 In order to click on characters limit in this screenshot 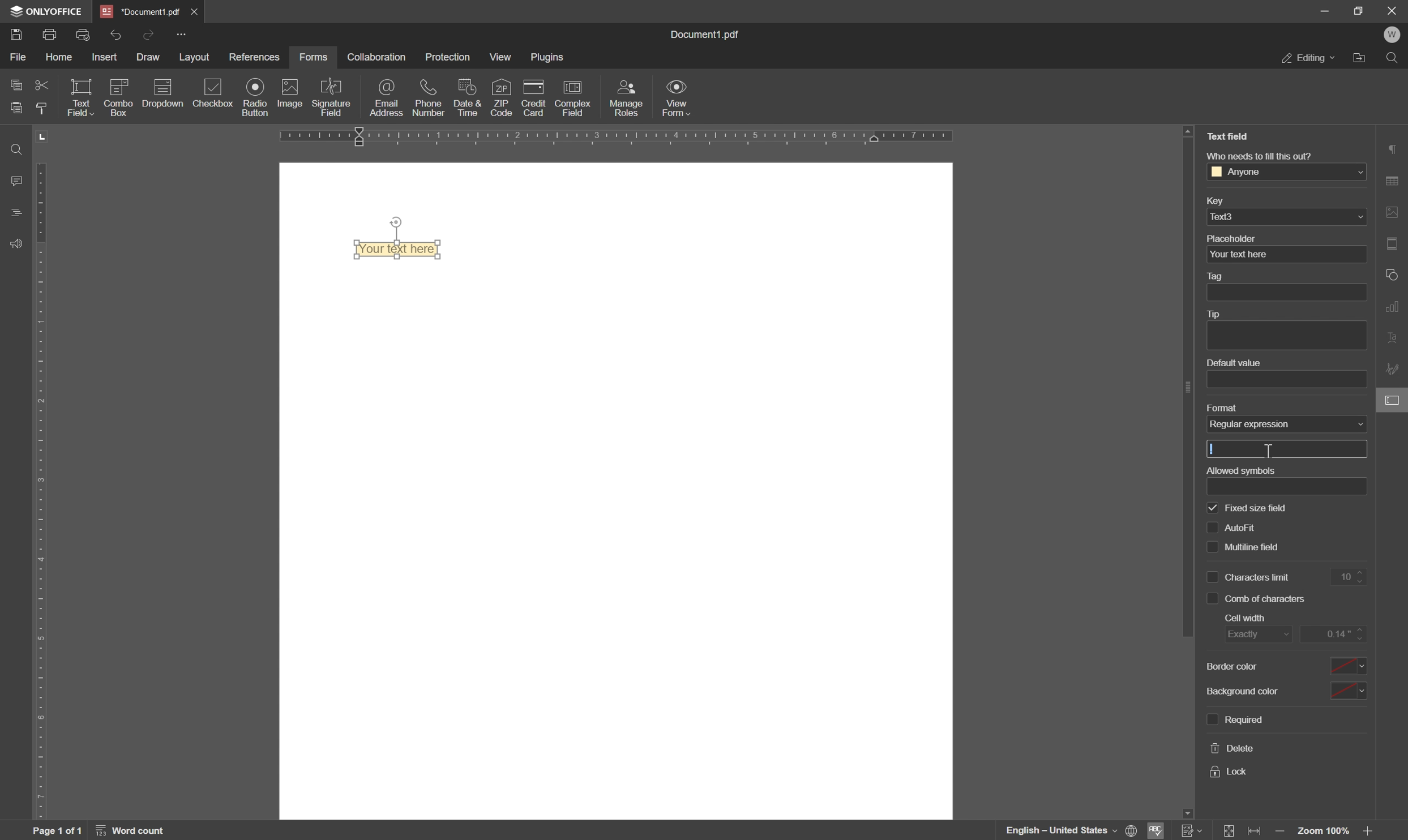, I will do `click(1260, 577)`.